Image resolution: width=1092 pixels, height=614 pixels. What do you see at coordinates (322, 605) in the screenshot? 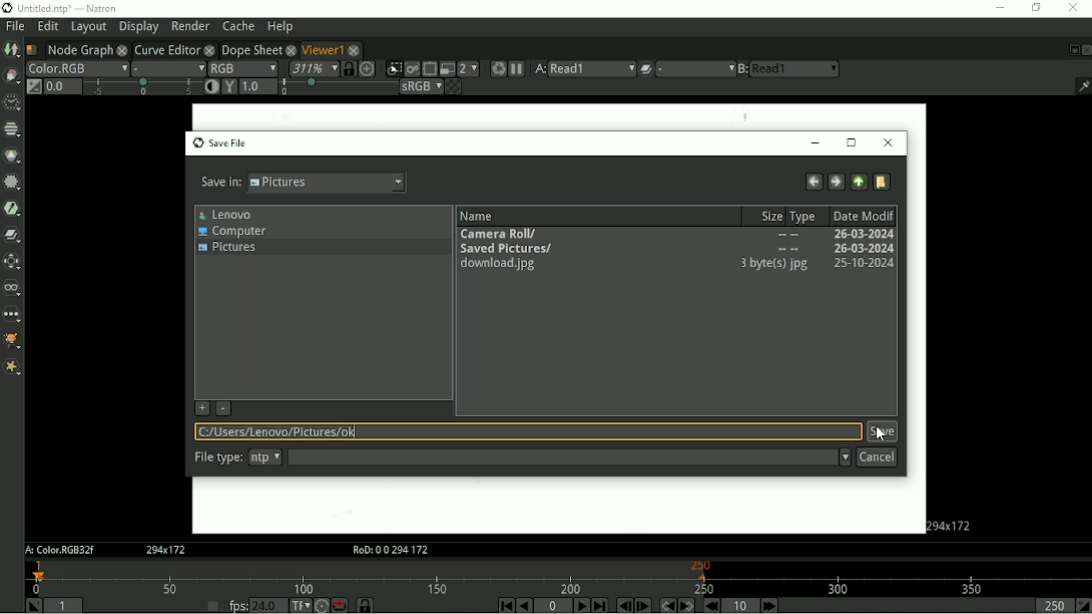
I see `Turbo mode` at bounding box center [322, 605].